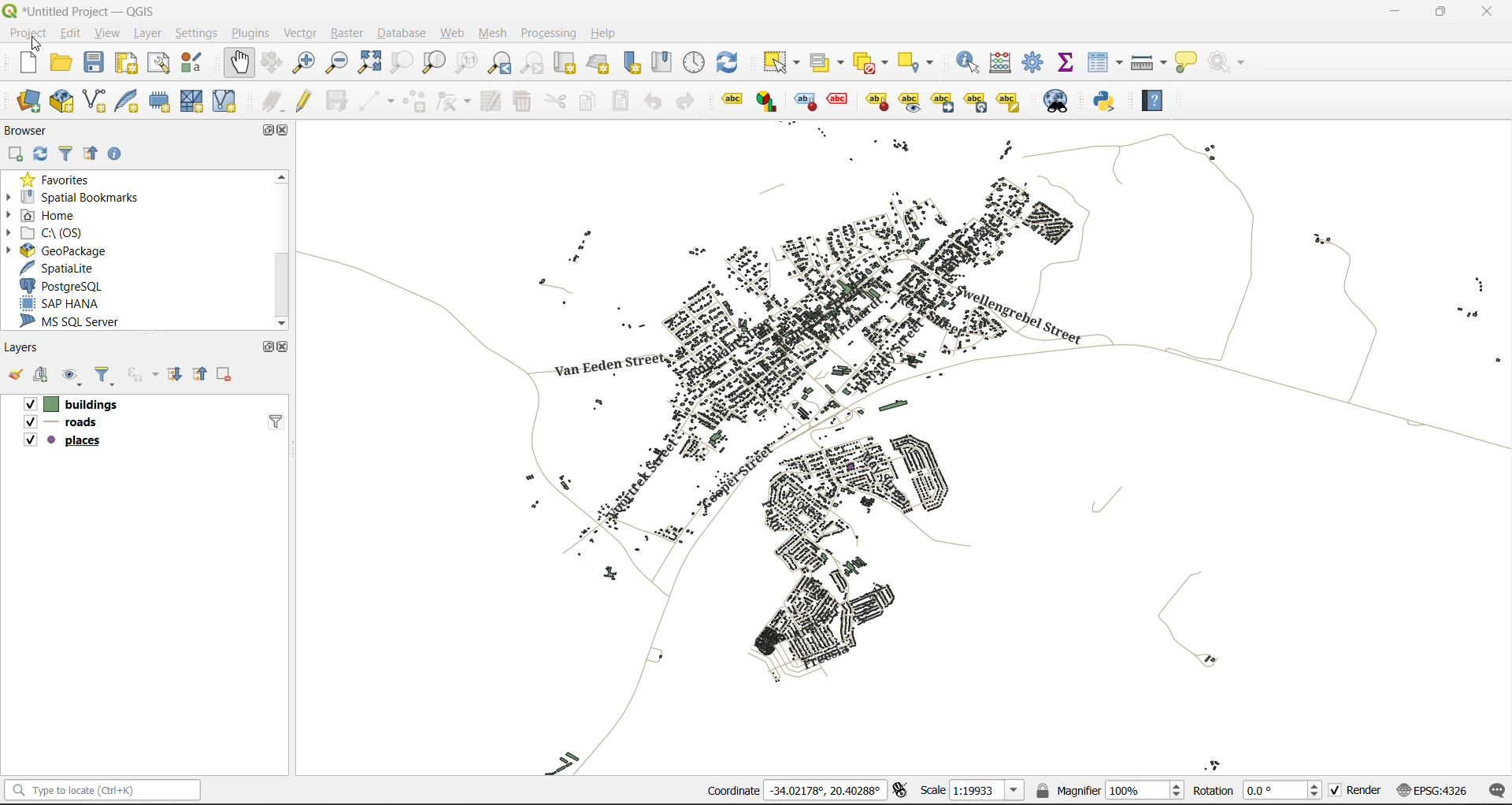 This screenshot has height=805, width=1512. I want to click on new spatial bookmark, so click(632, 62).